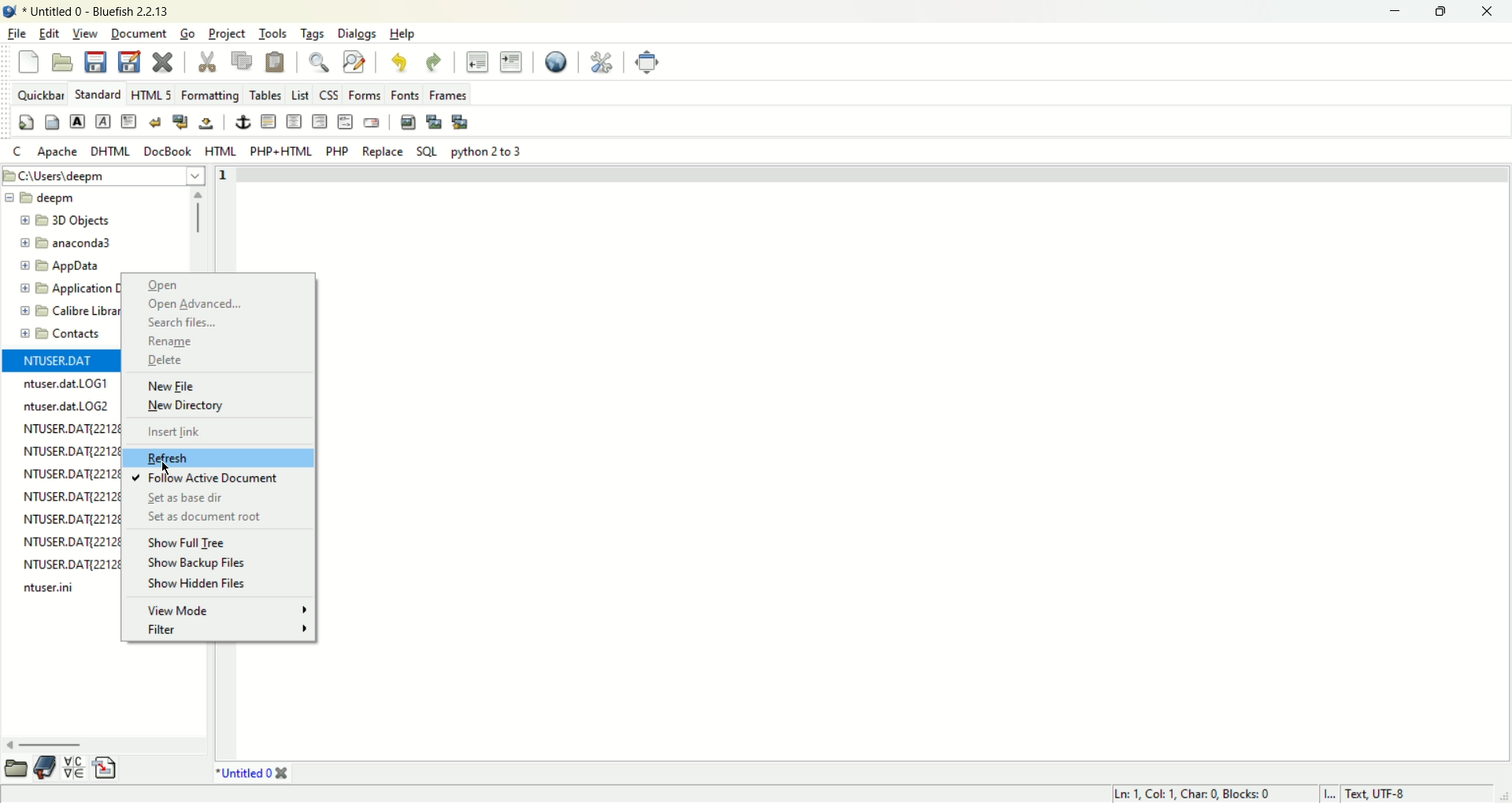  Describe the element at coordinates (600, 63) in the screenshot. I see `preferences` at that location.